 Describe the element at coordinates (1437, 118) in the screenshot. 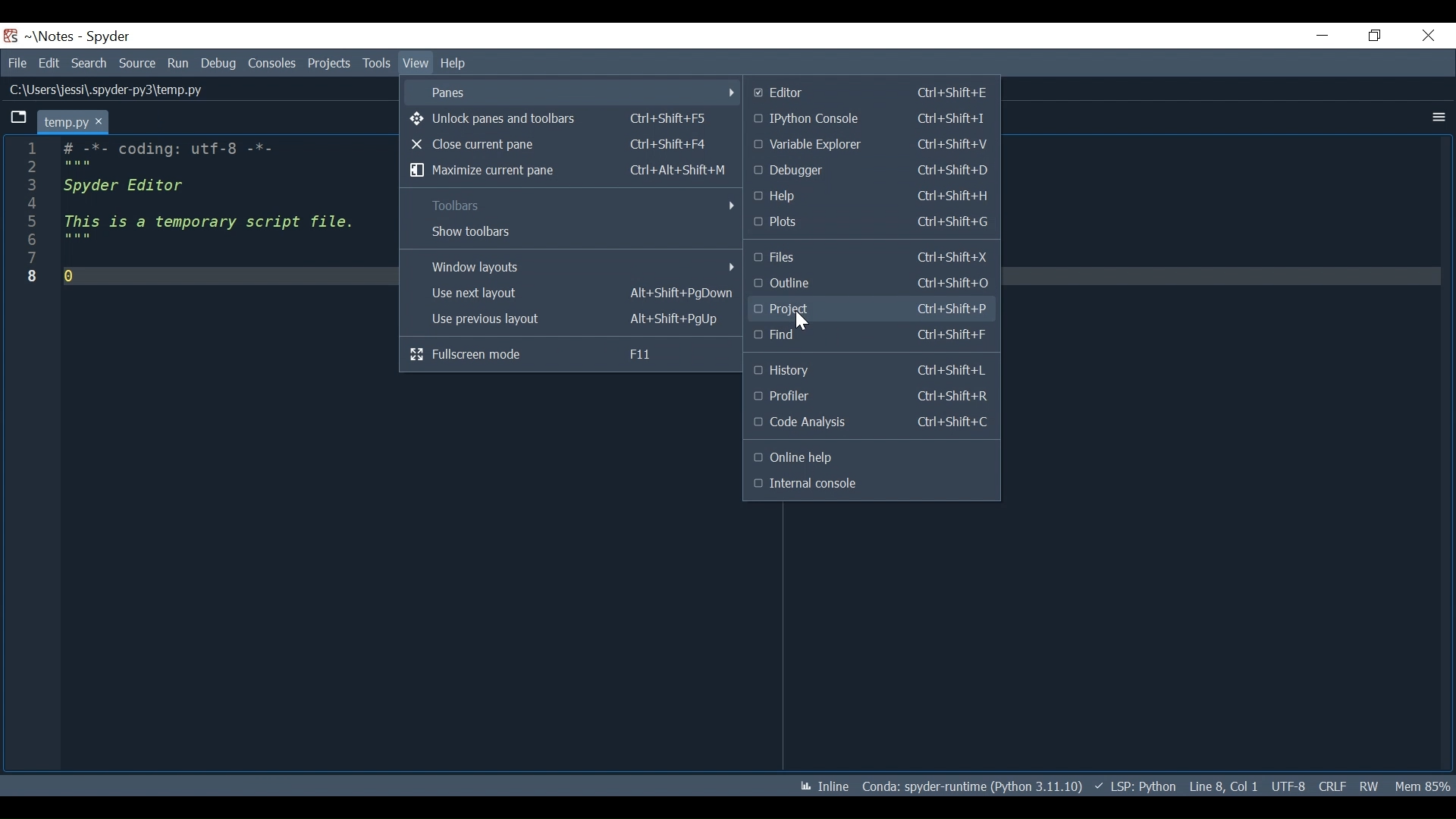

I see `More Options` at that location.